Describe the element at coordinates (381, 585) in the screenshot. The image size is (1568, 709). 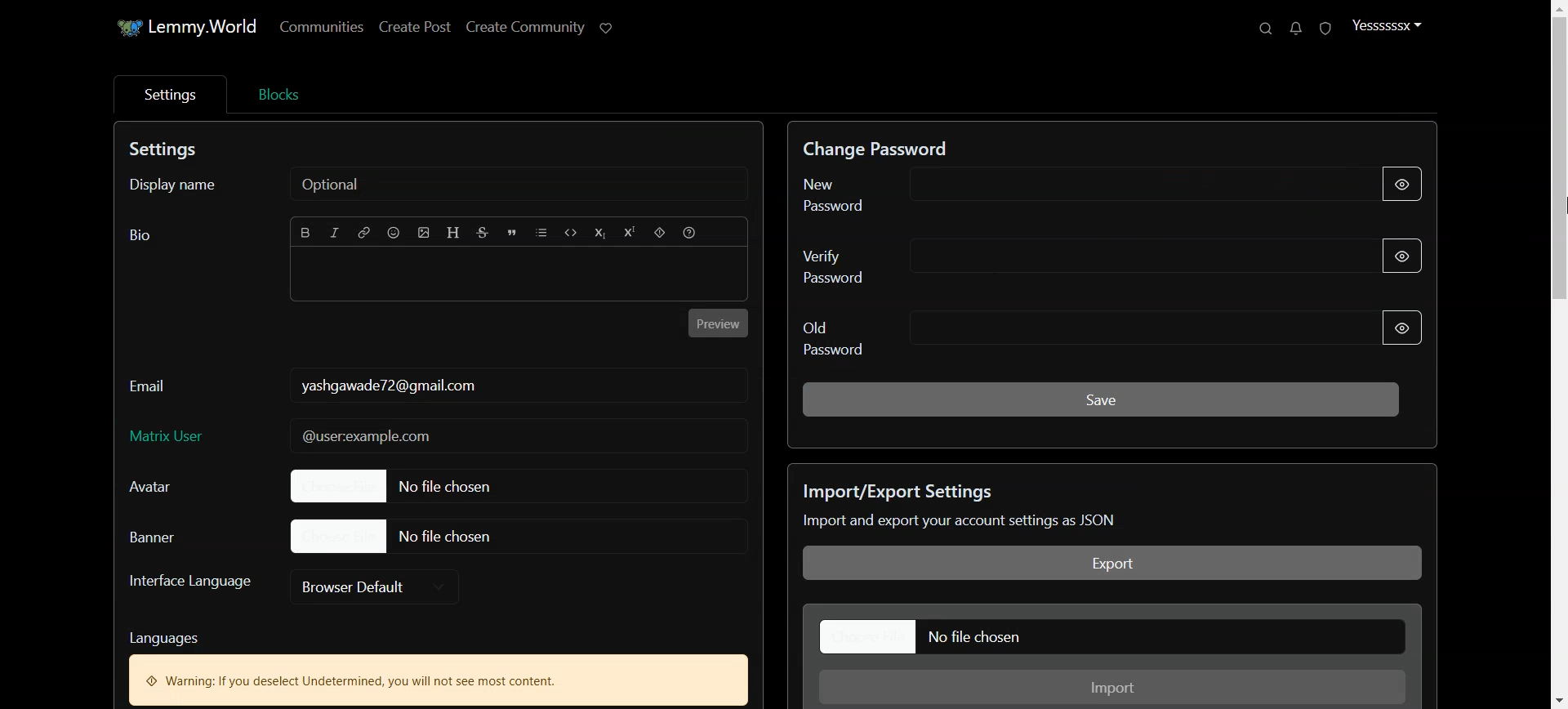
I see `Browser Default` at that location.